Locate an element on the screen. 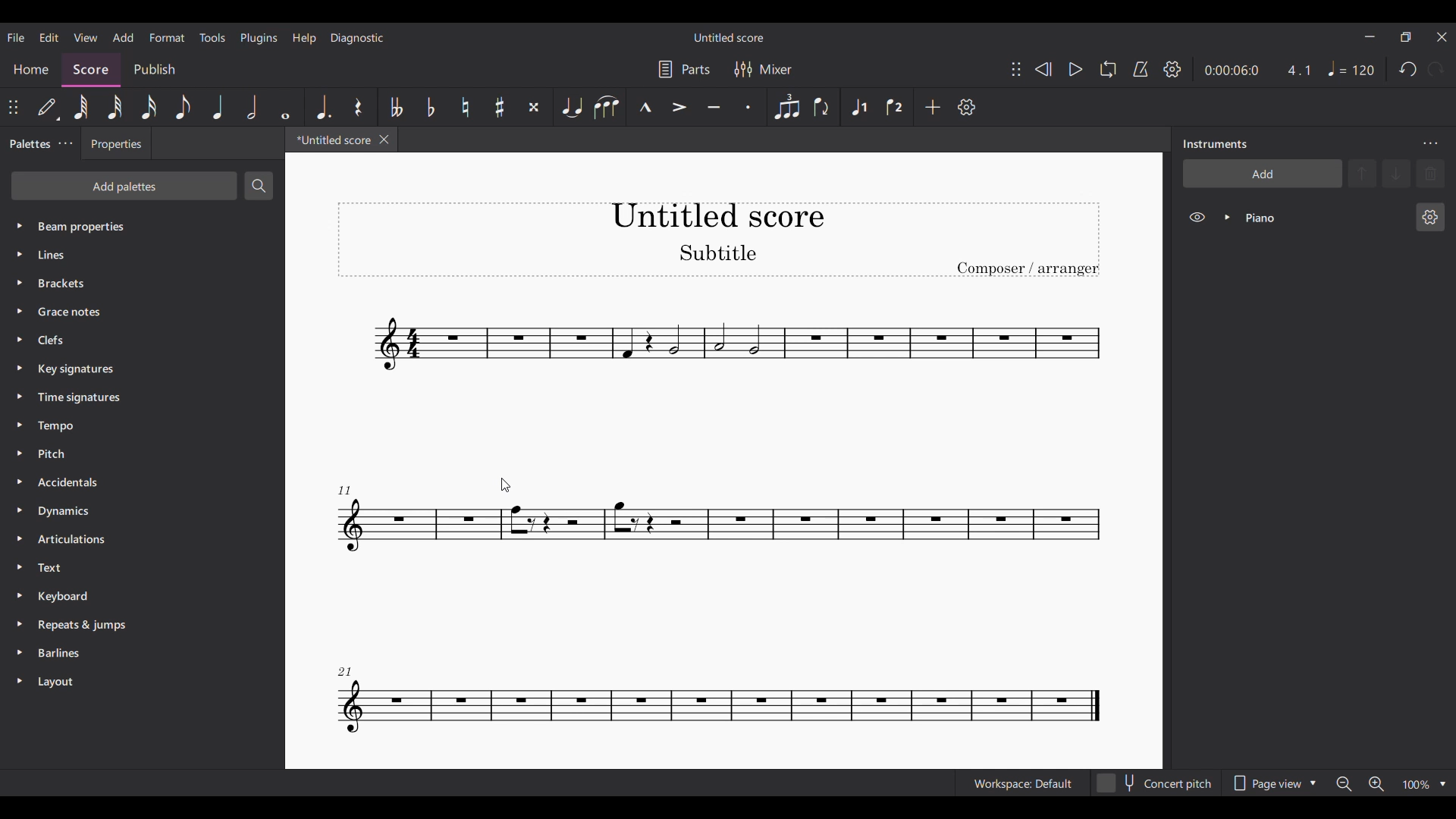 The height and width of the screenshot is (819, 1456). Toggle sharp is located at coordinates (500, 107).